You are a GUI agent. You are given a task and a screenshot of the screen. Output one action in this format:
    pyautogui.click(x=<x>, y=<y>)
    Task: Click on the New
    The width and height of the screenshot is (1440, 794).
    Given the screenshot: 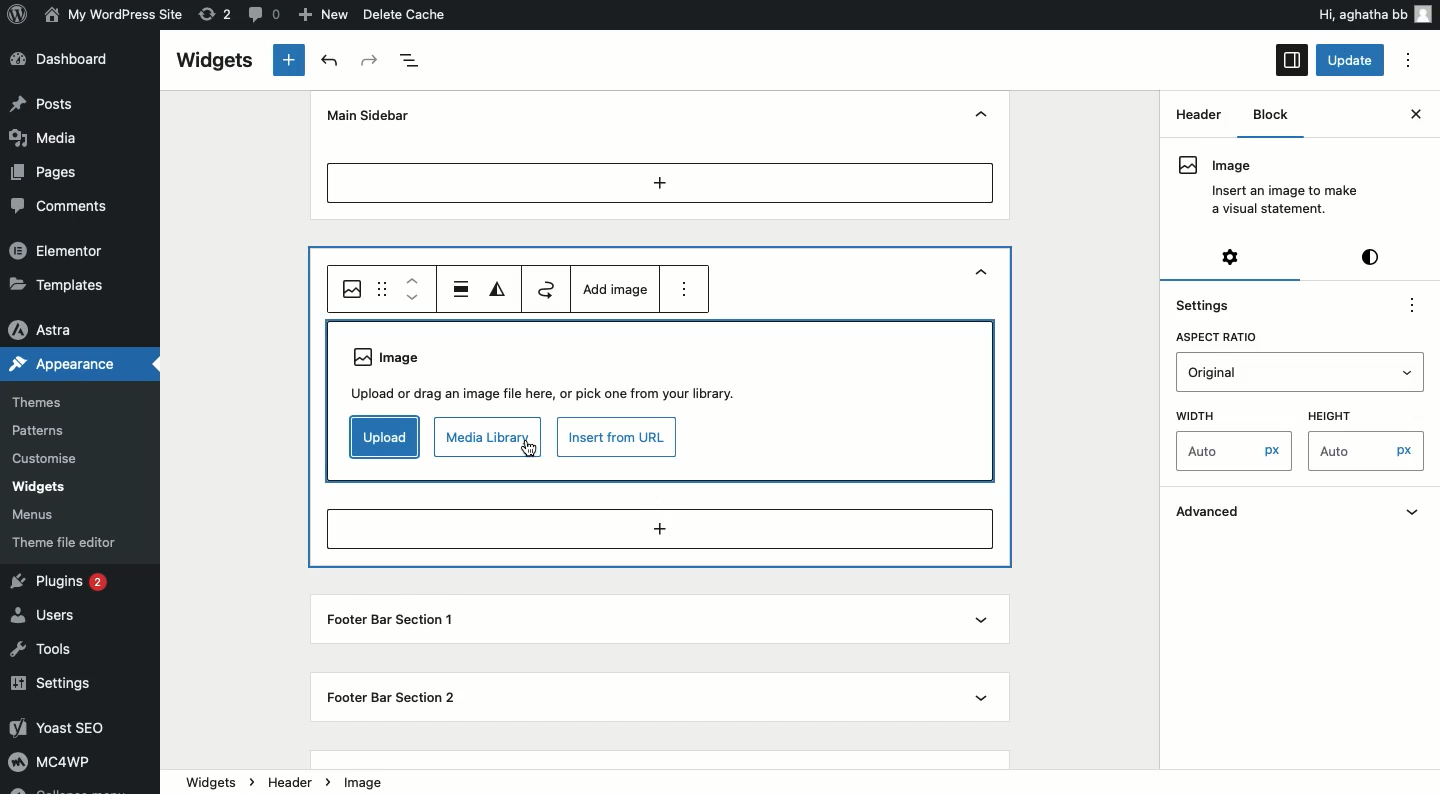 What is the action you would take?
    pyautogui.click(x=326, y=15)
    